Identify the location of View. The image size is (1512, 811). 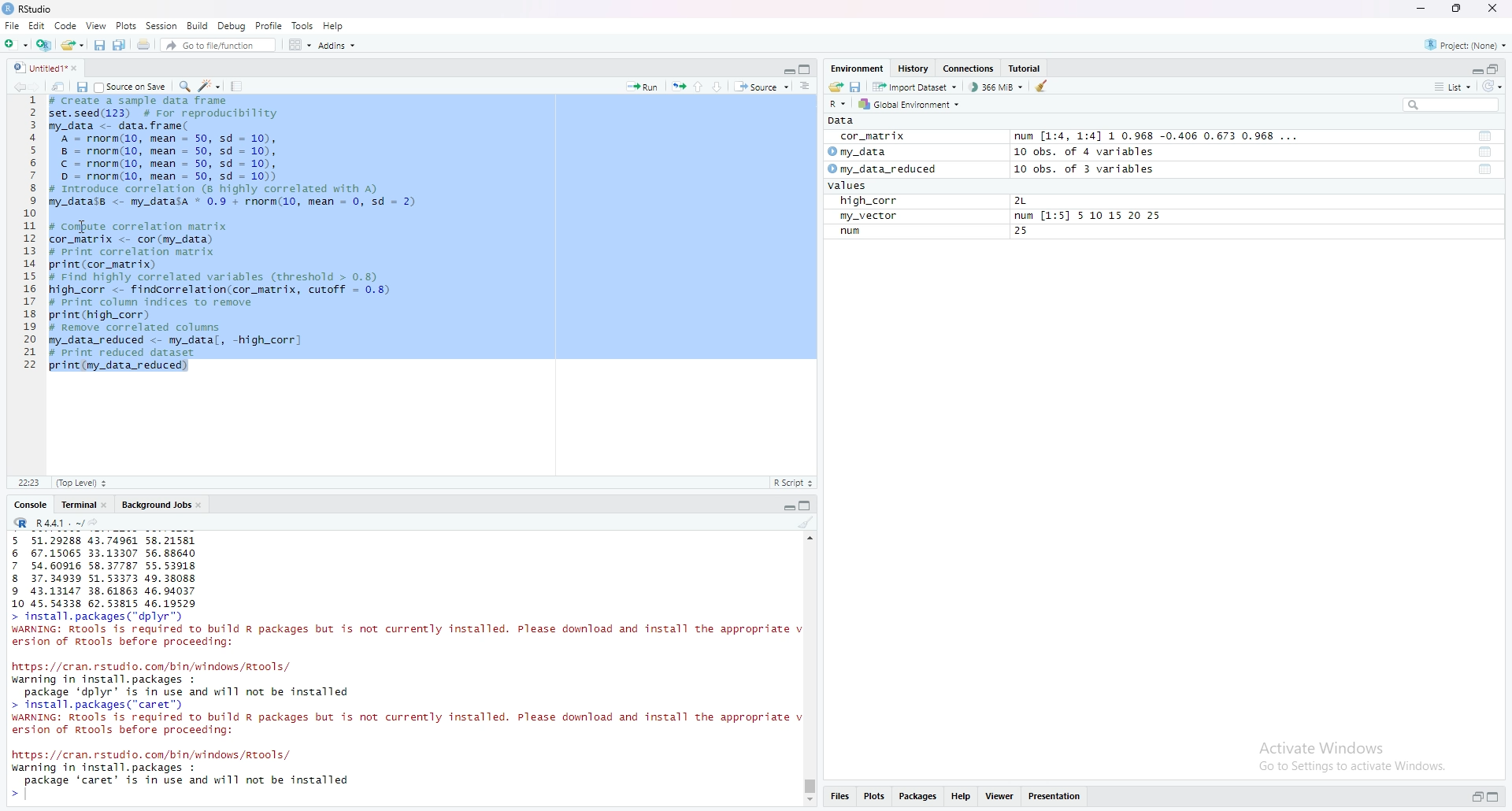
(97, 26).